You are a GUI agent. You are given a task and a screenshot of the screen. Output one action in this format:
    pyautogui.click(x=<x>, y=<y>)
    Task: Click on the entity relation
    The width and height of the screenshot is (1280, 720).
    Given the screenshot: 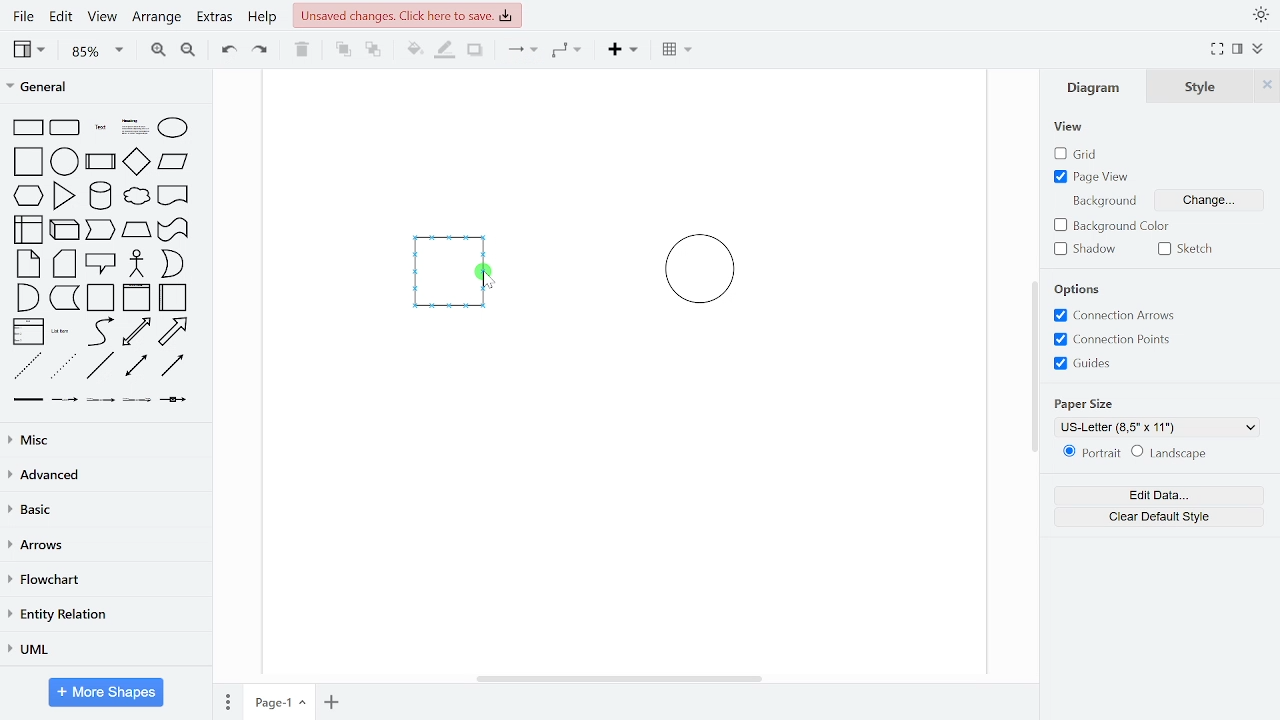 What is the action you would take?
    pyautogui.click(x=102, y=616)
    